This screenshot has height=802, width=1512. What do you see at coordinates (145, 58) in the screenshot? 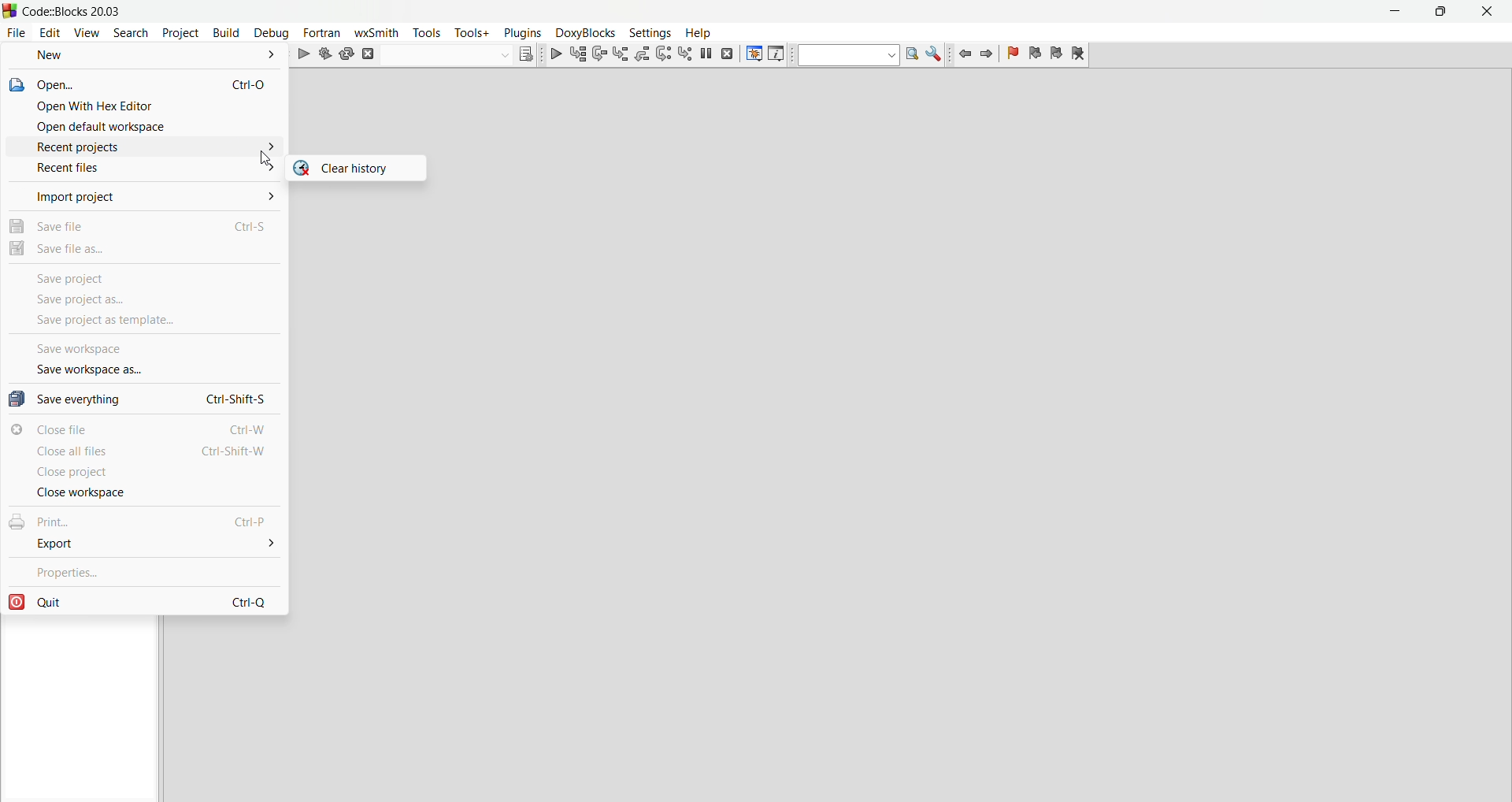
I see `new` at bounding box center [145, 58].